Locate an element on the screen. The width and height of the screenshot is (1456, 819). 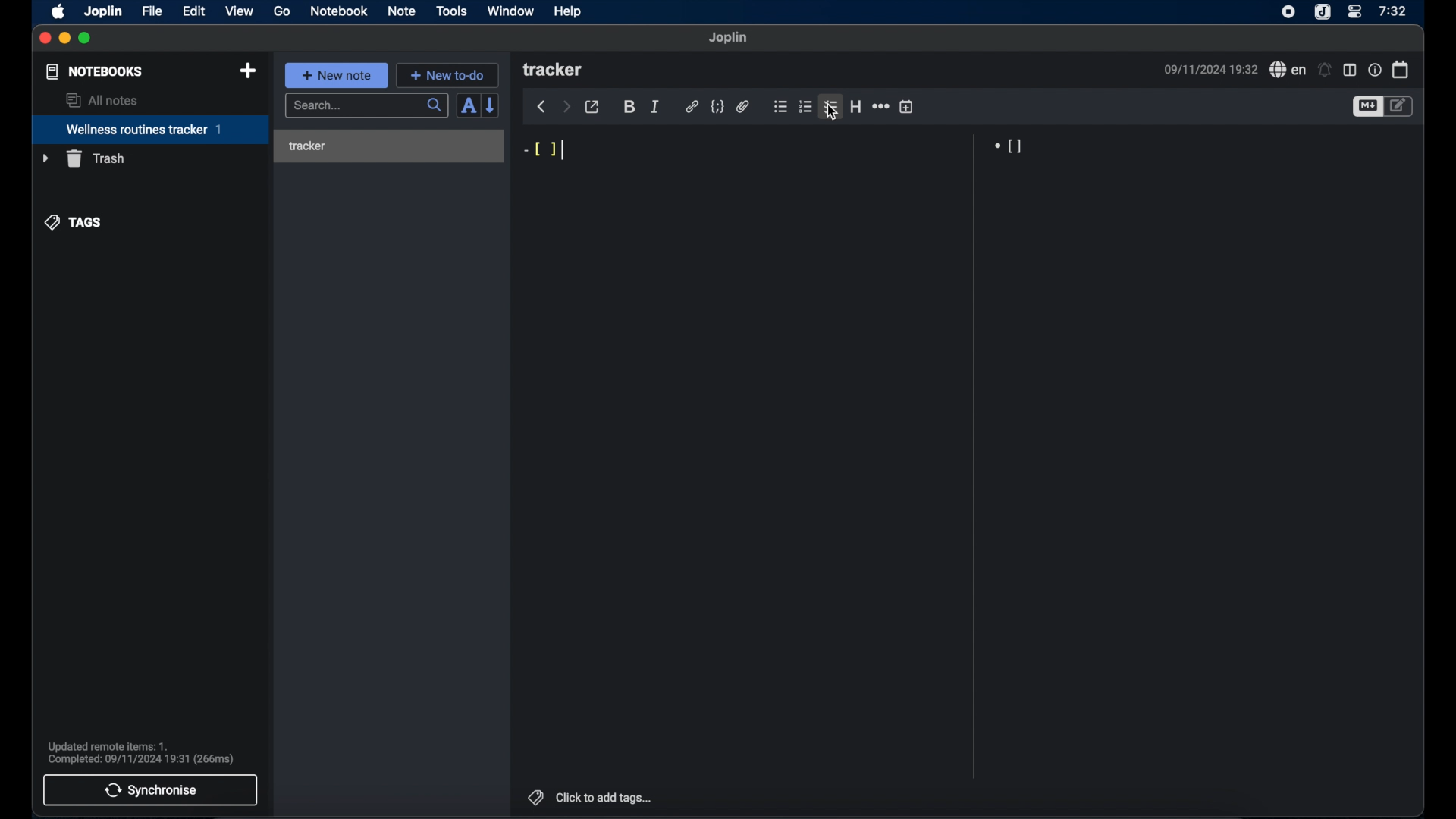
search... is located at coordinates (368, 106).